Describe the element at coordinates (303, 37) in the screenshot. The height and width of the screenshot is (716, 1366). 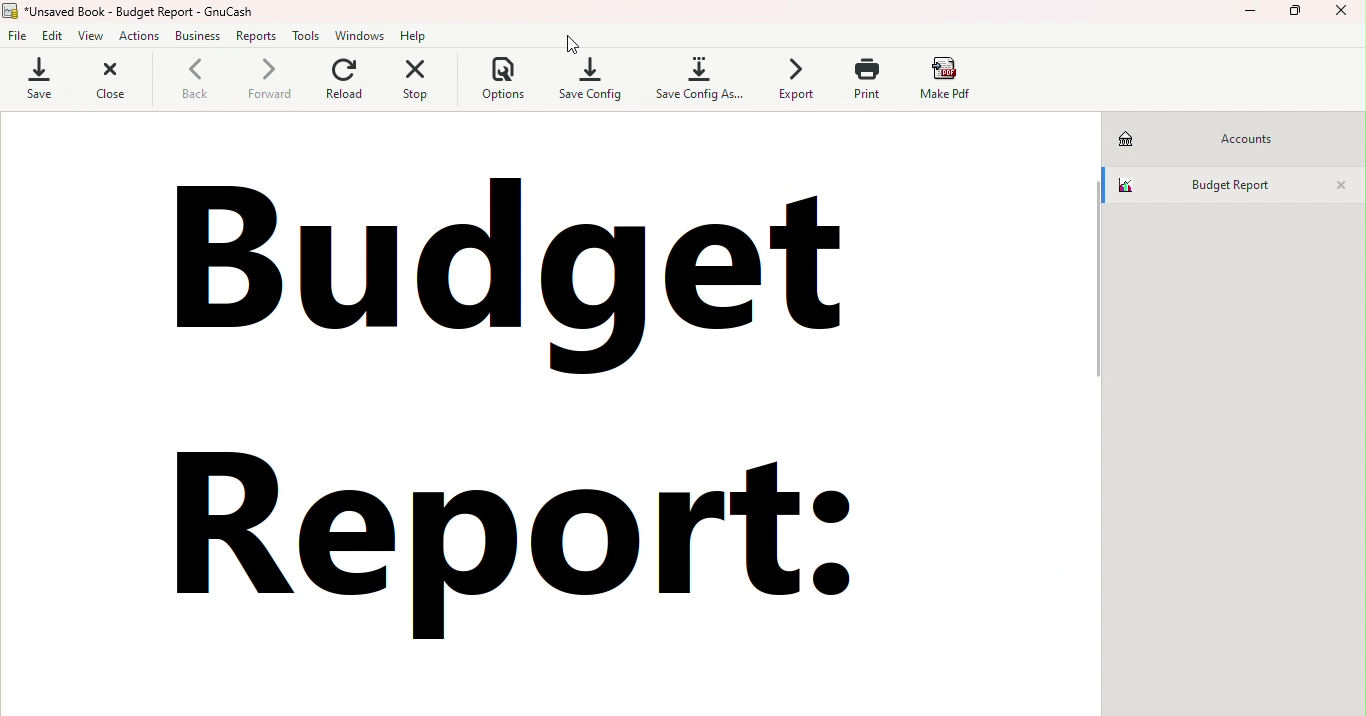
I see `Tools` at that location.